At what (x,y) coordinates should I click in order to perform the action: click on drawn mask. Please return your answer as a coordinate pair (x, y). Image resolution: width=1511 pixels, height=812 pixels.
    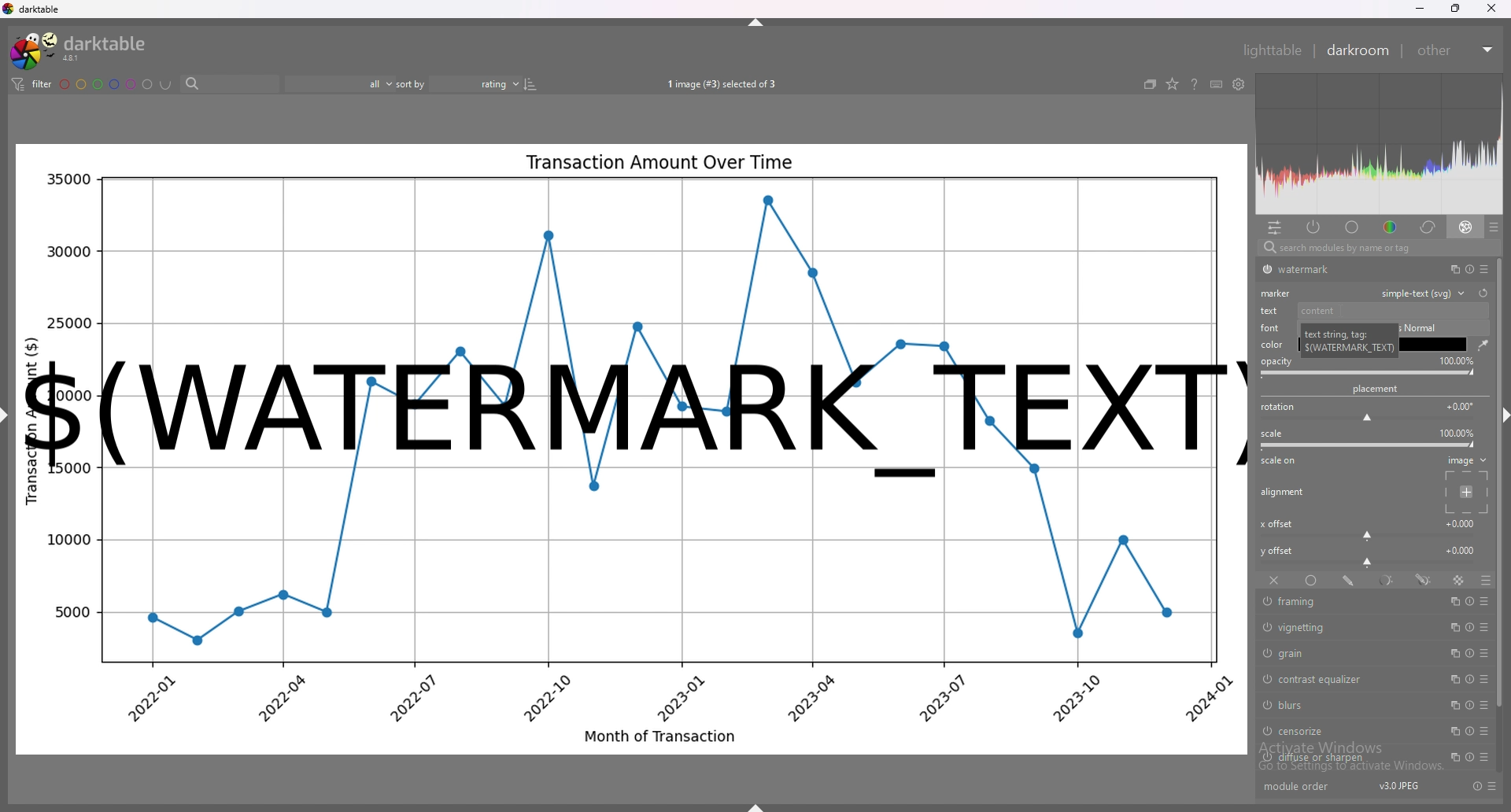
    Looking at the image, I should click on (1350, 580).